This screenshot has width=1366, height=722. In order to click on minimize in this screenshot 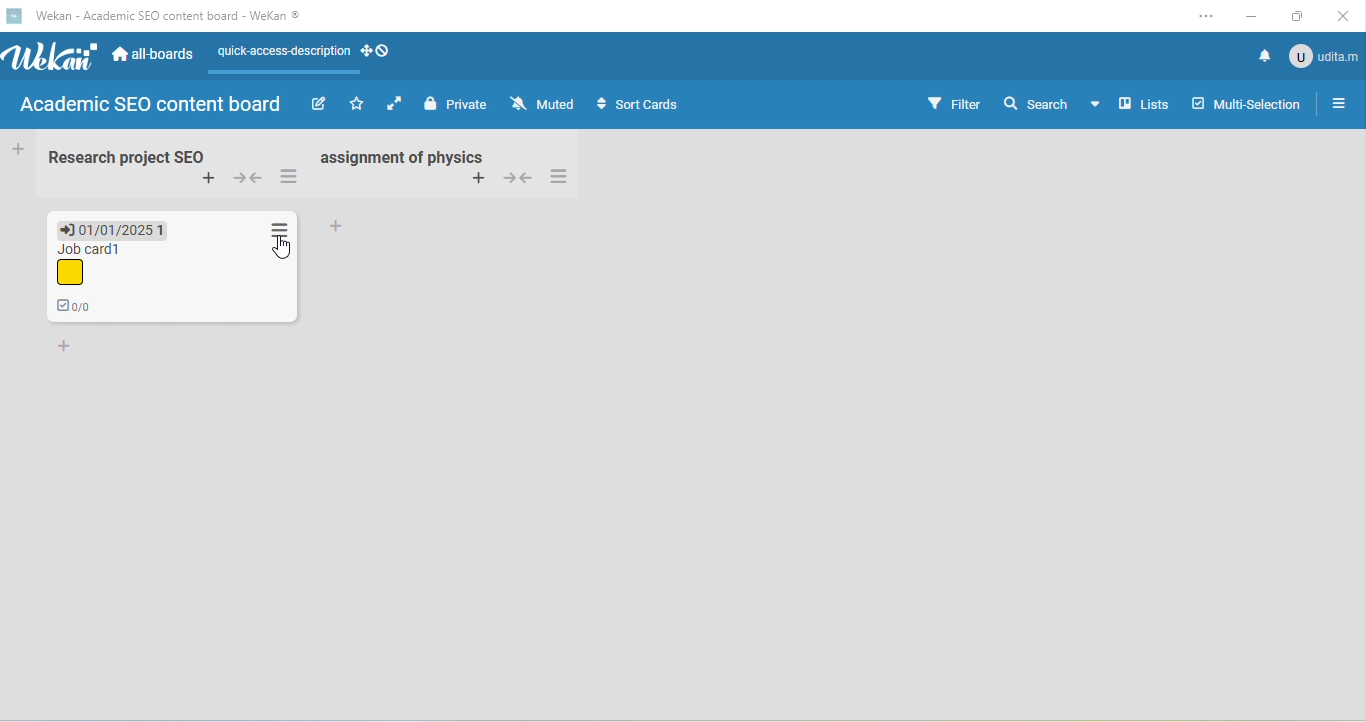, I will do `click(1252, 14)`.